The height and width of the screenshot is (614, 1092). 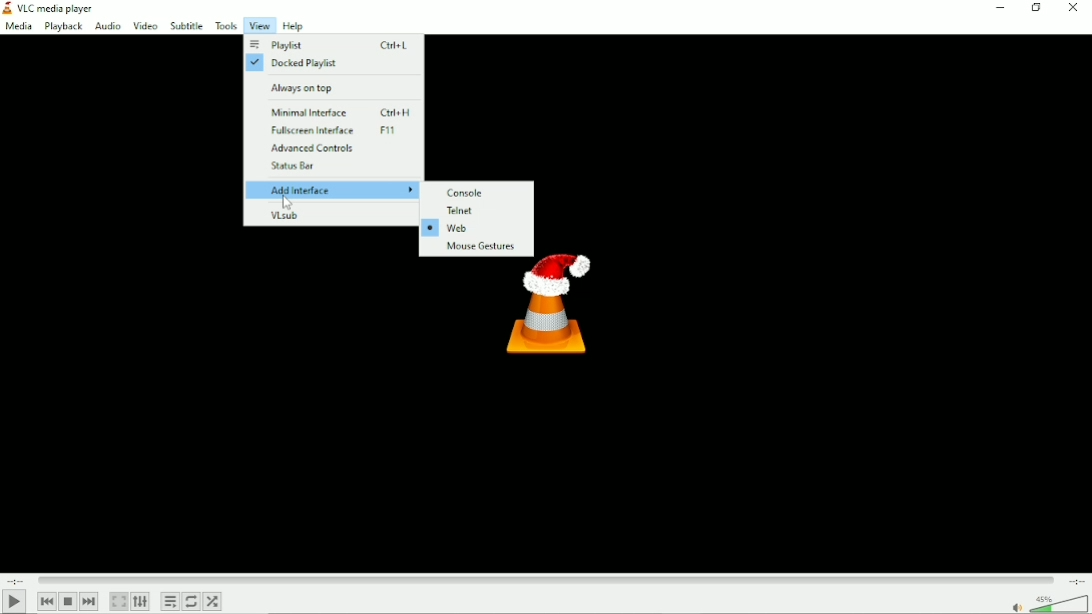 What do you see at coordinates (145, 25) in the screenshot?
I see `Video` at bounding box center [145, 25].